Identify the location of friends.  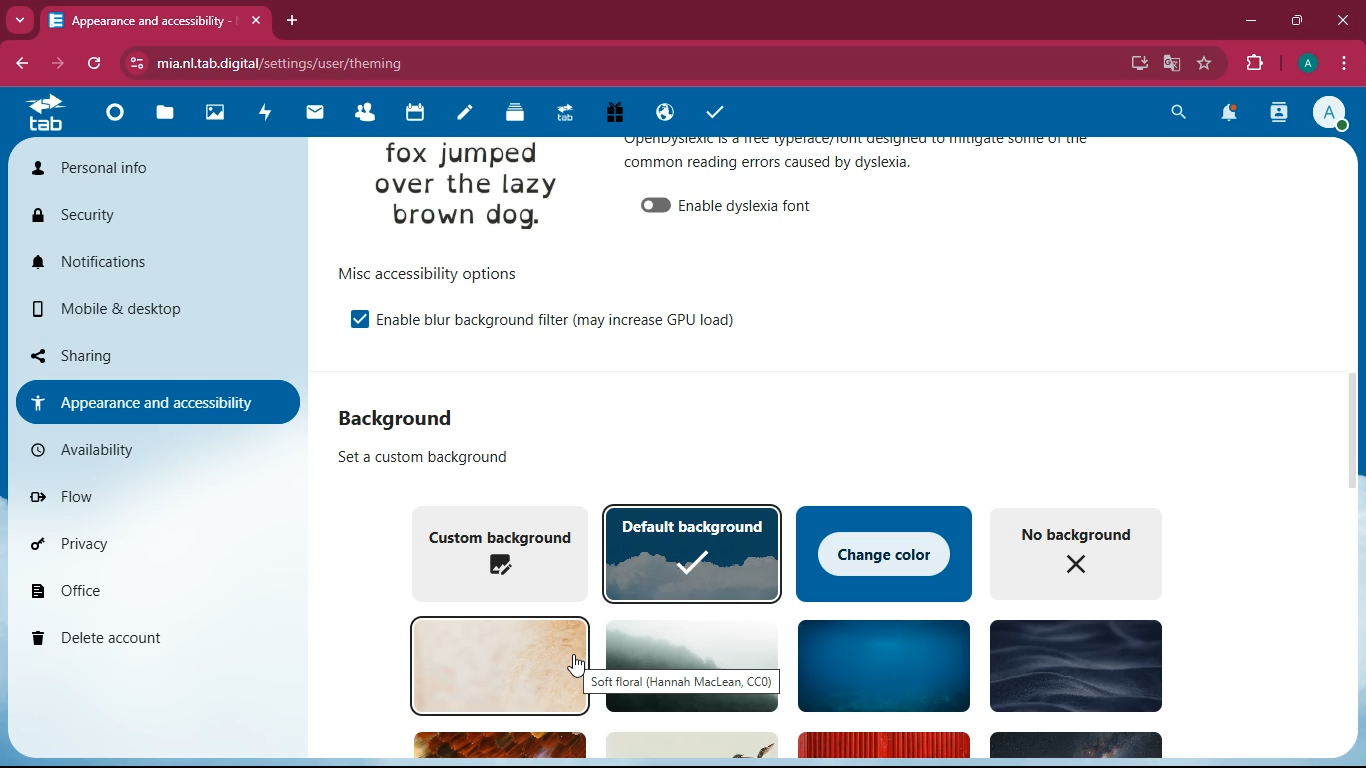
(367, 114).